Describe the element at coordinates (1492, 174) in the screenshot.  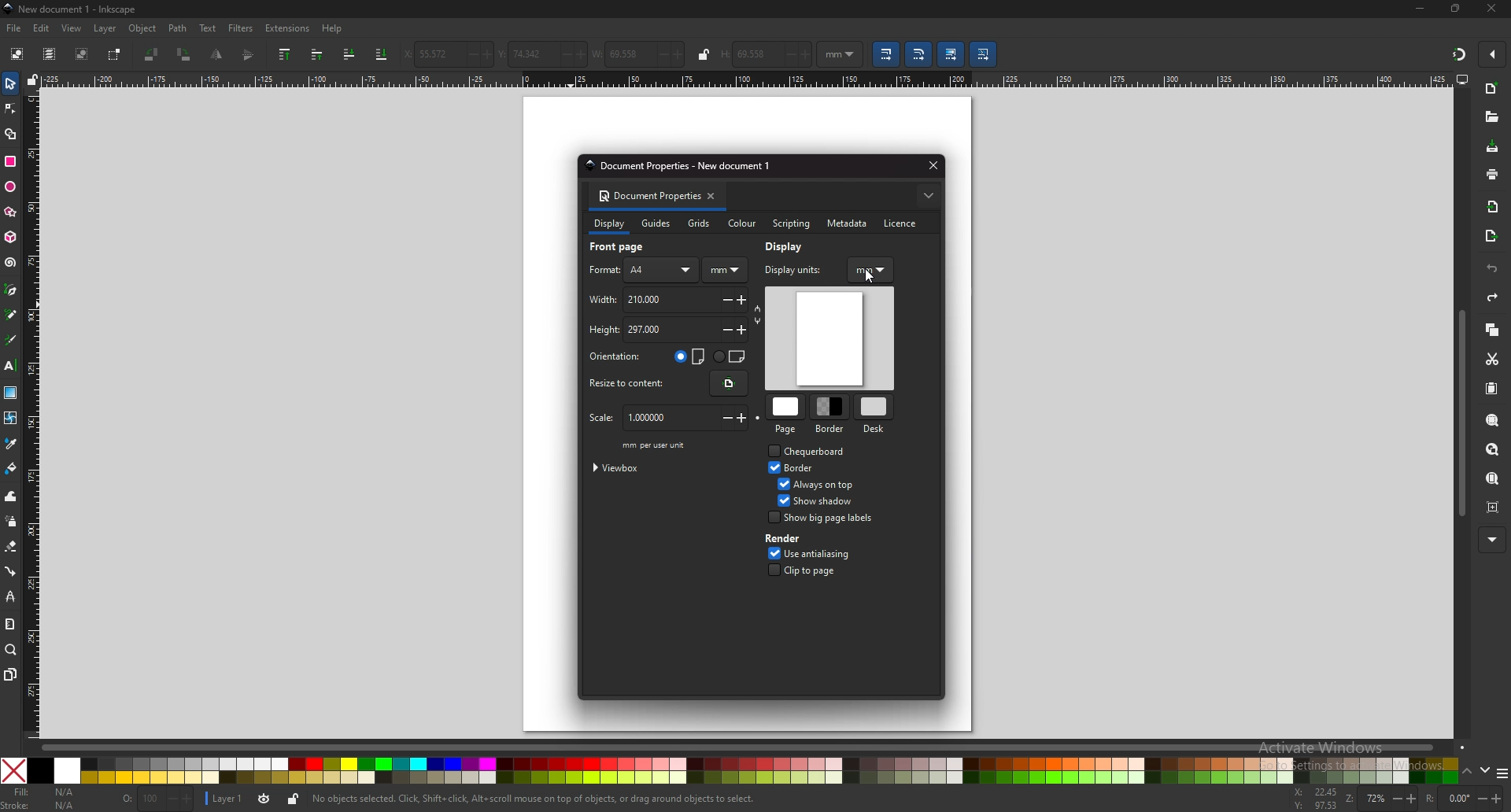
I see `print` at that location.